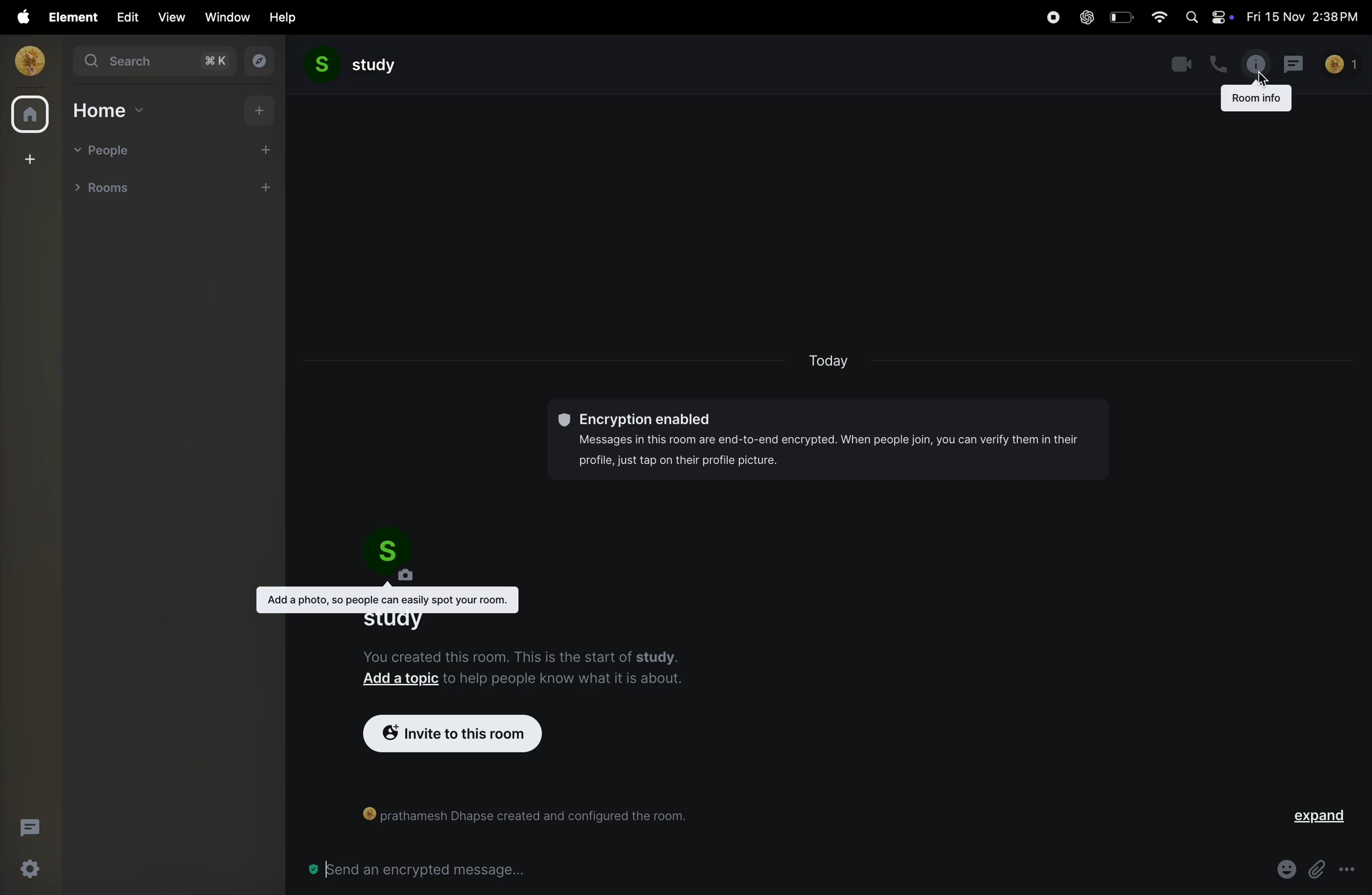  Describe the element at coordinates (1338, 63) in the screenshot. I see `no of people` at that location.